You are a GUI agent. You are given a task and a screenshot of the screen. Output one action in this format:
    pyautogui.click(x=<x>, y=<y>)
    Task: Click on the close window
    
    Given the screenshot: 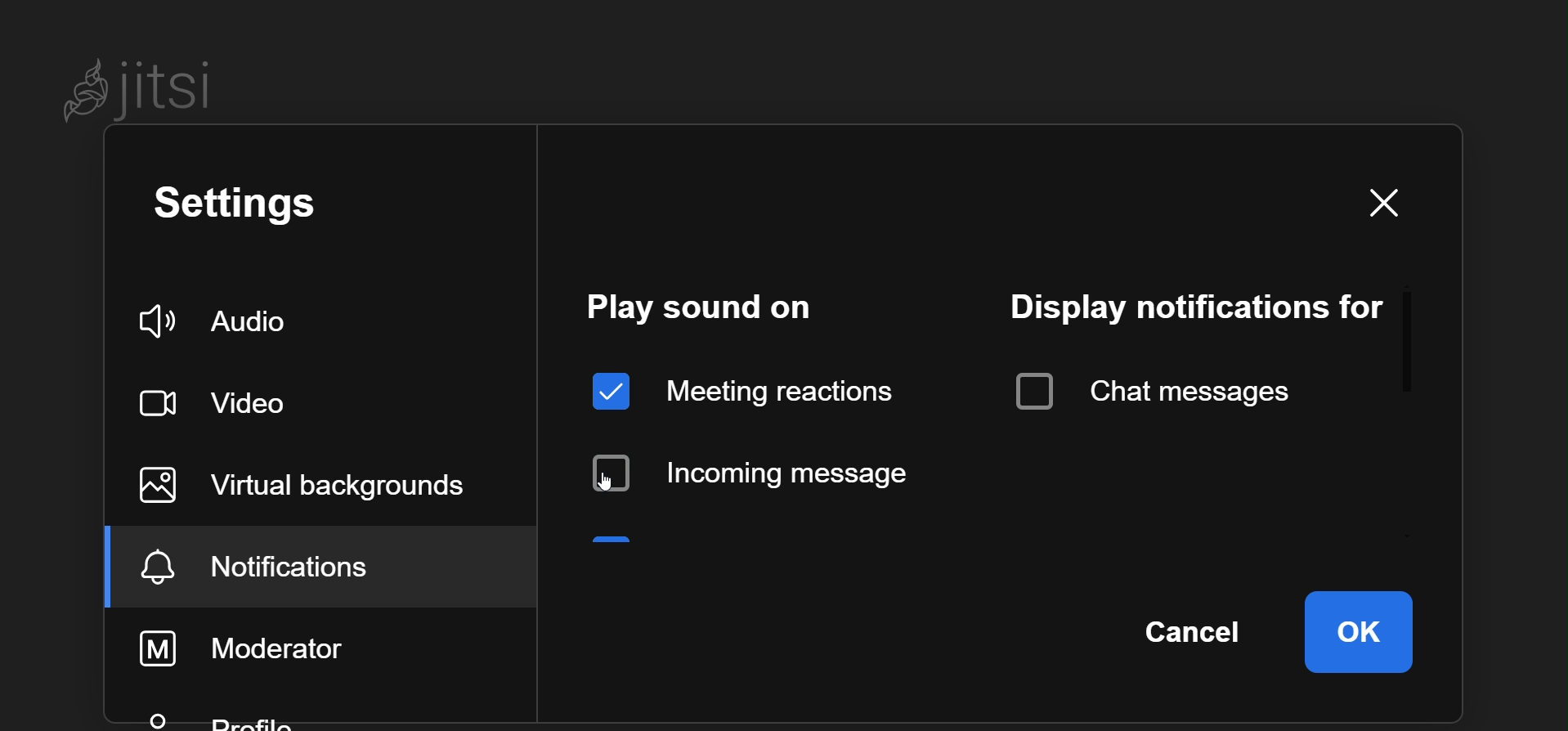 What is the action you would take?
    pyautogui.click(x=1376, y=203)
    